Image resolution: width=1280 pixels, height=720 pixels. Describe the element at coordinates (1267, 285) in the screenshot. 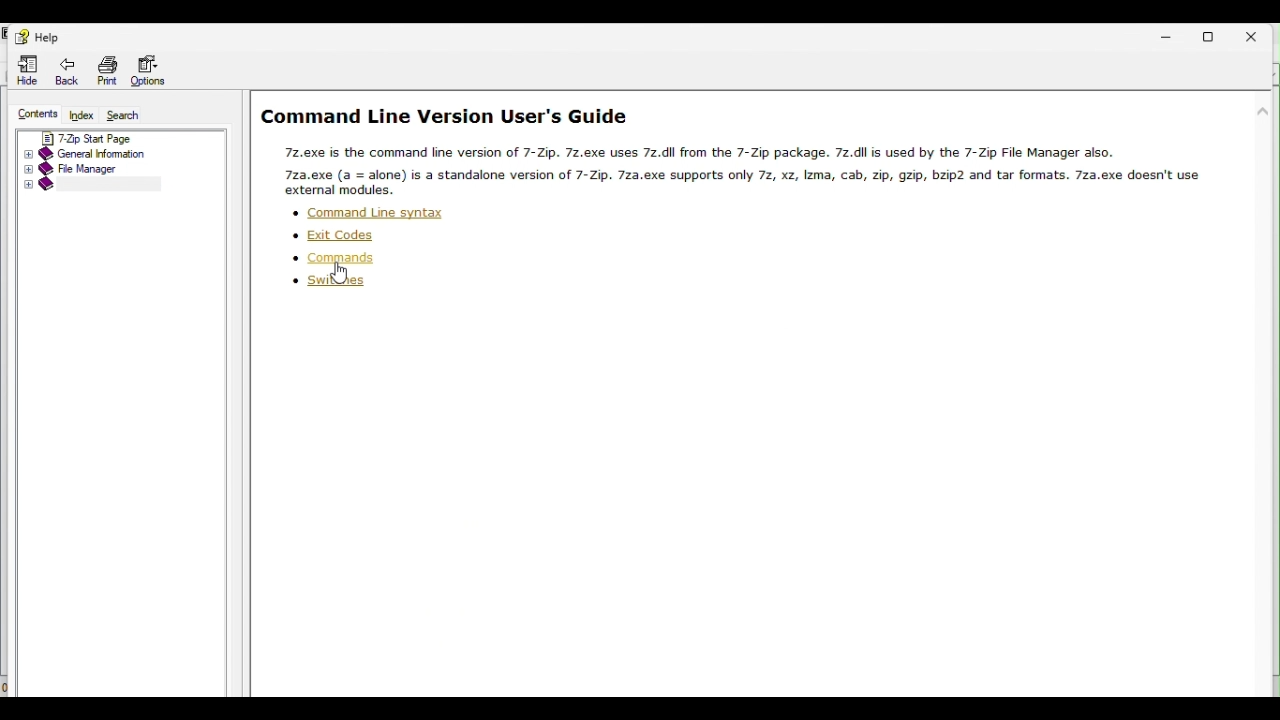

I see `scroll bar` at that location.